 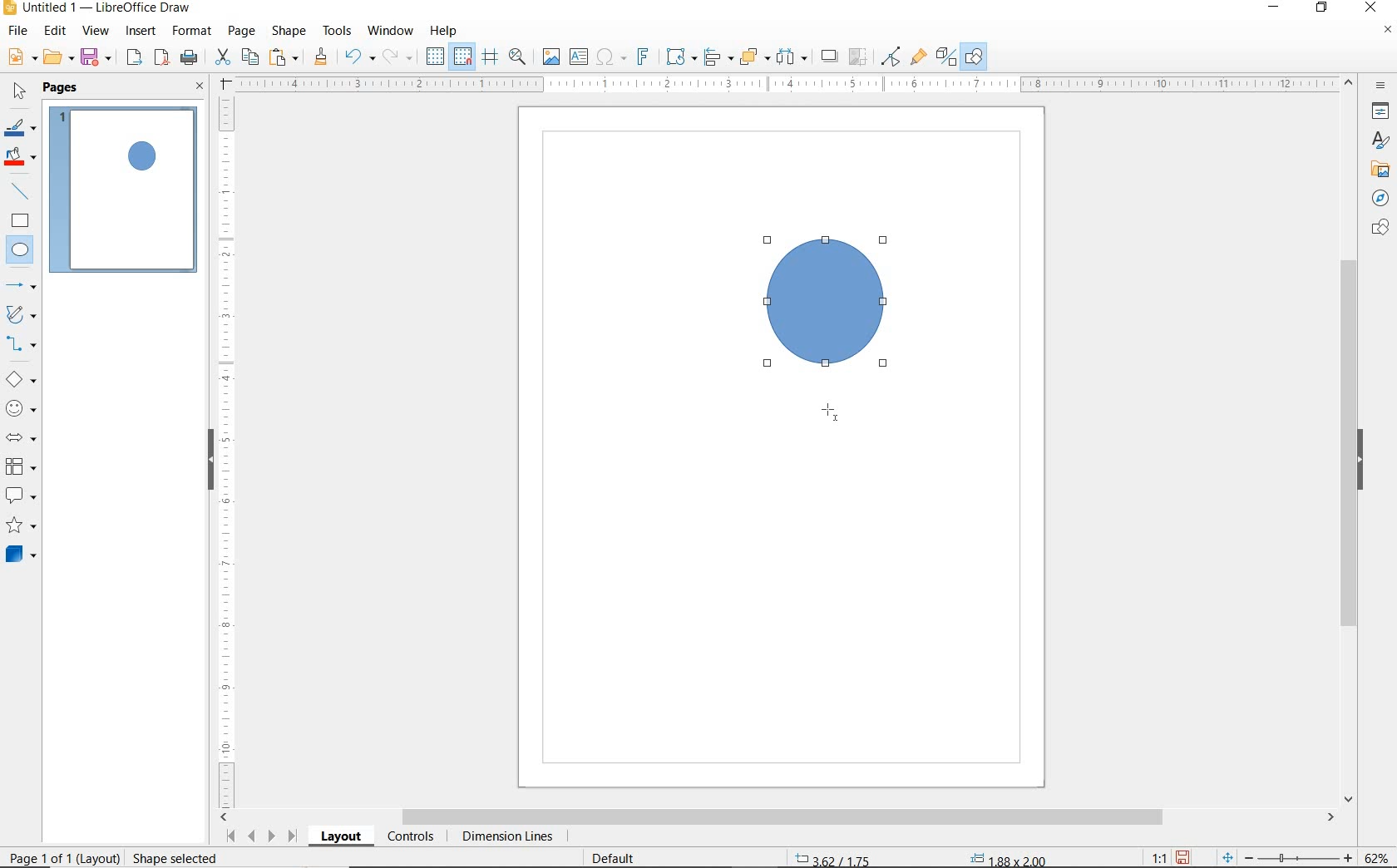 What do you see at coordinates (22, 382) in the screenshot?
I see `BASIC SHAPES` at bounding box center [22, 382].